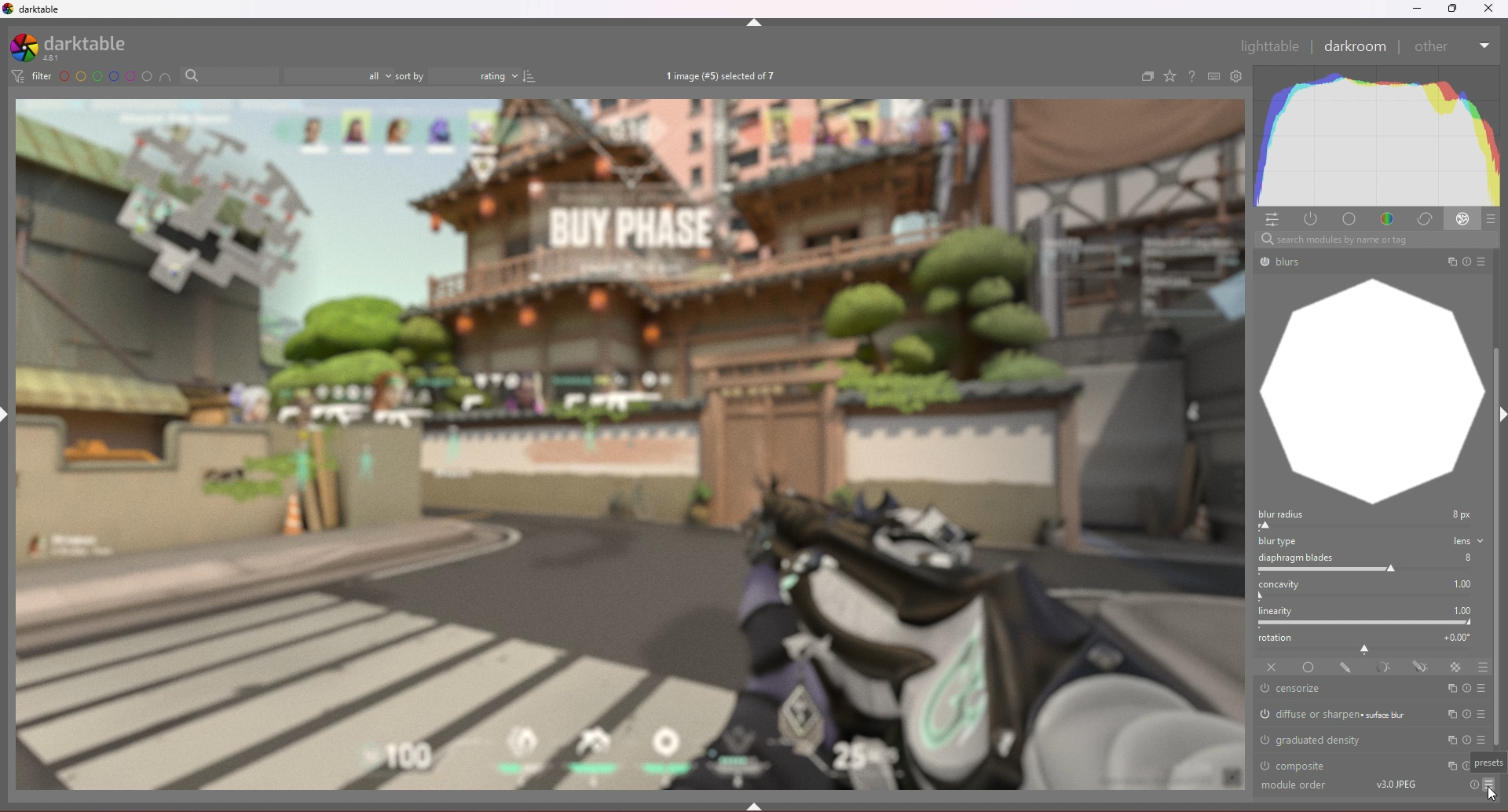 The image size is (1508, 812). I want to click on quick access panel, so click(1271, 220).